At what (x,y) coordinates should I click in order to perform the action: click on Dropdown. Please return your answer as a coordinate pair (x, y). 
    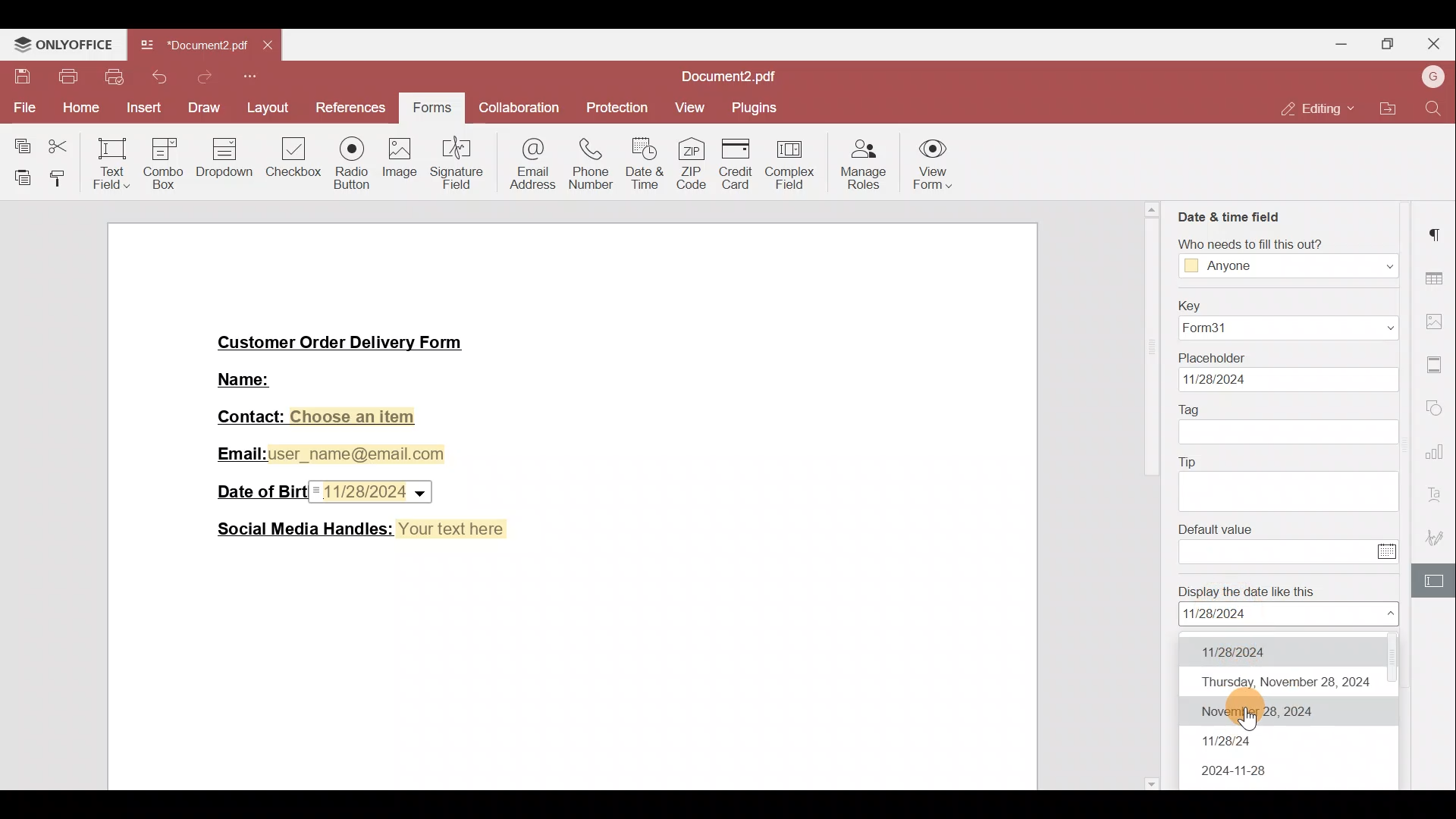
    Looking at the image, I should click on (226, 161).